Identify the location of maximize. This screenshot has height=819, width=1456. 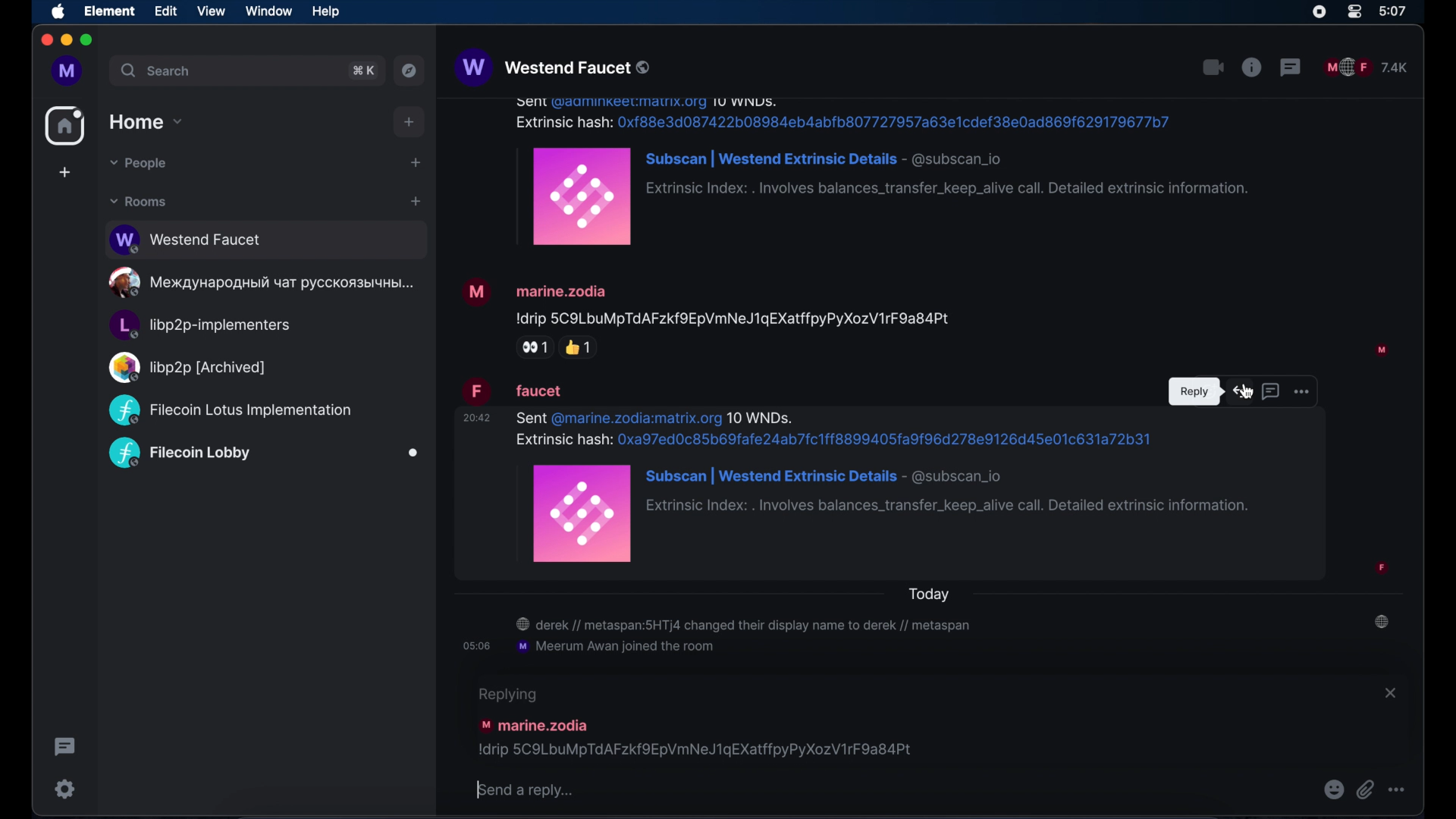
(88, 40).